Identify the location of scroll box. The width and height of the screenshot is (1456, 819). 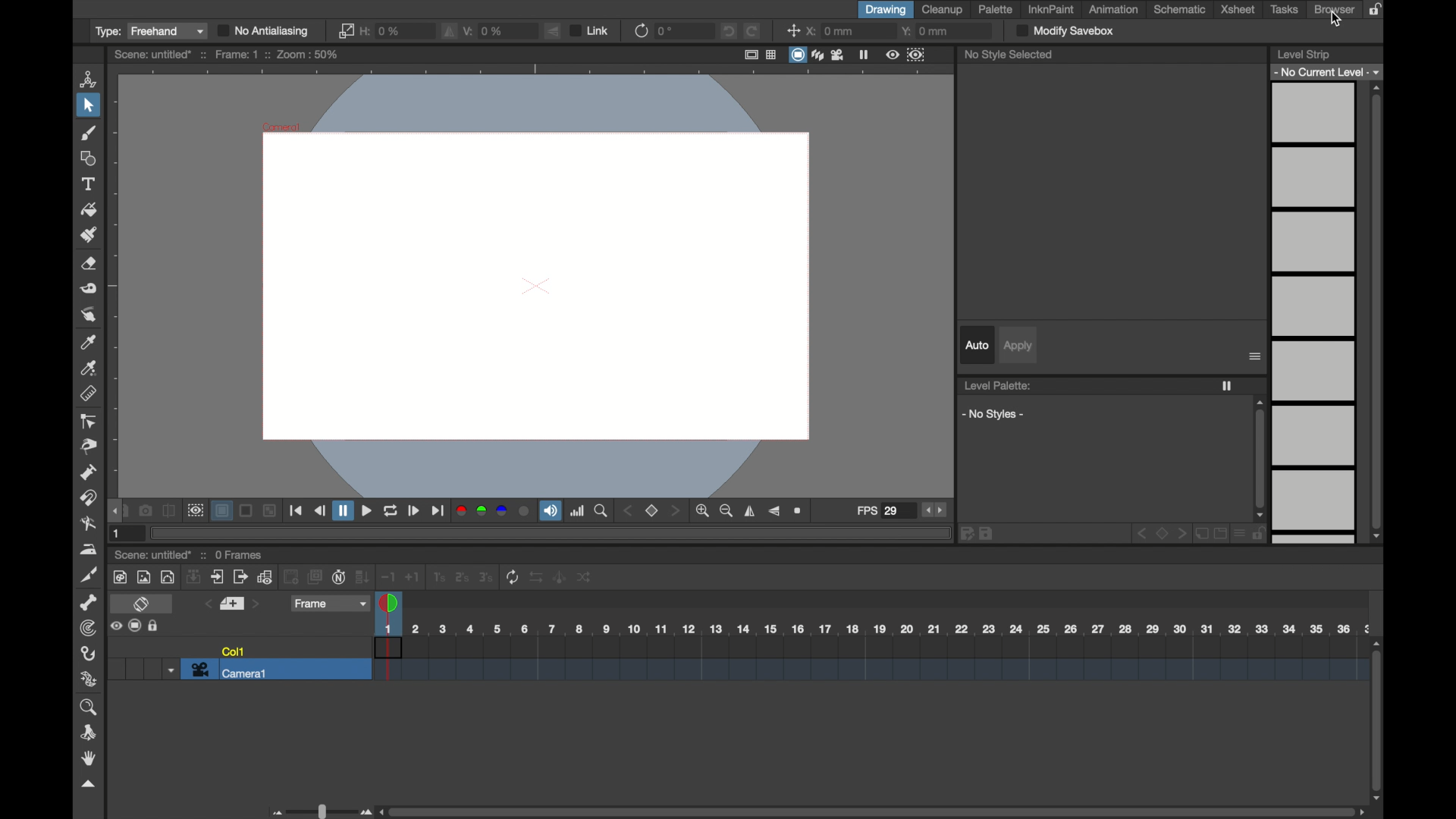
(874, 811).